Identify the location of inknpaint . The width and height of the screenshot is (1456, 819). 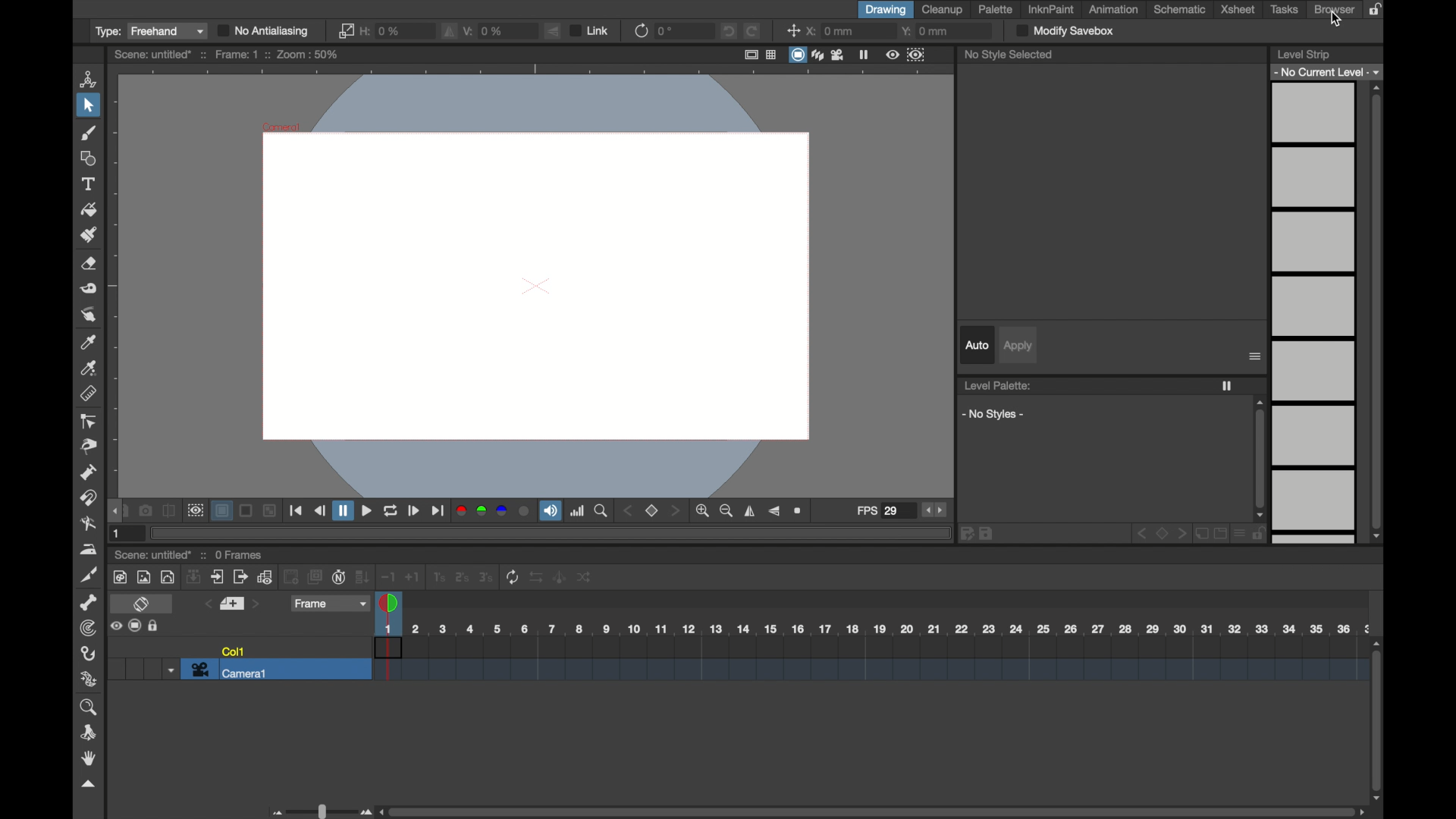
(1051, 10).